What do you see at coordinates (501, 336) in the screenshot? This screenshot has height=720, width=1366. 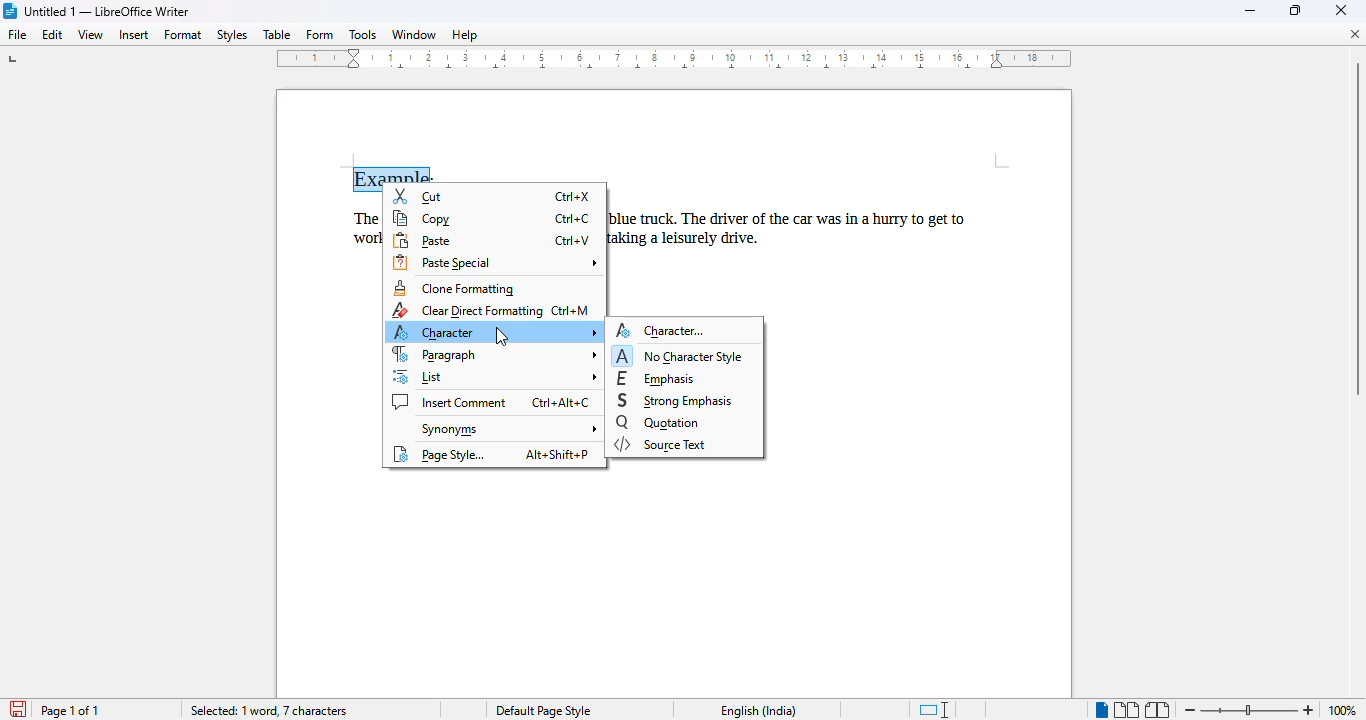 I see `cursor` at bounding box center [501, 336].